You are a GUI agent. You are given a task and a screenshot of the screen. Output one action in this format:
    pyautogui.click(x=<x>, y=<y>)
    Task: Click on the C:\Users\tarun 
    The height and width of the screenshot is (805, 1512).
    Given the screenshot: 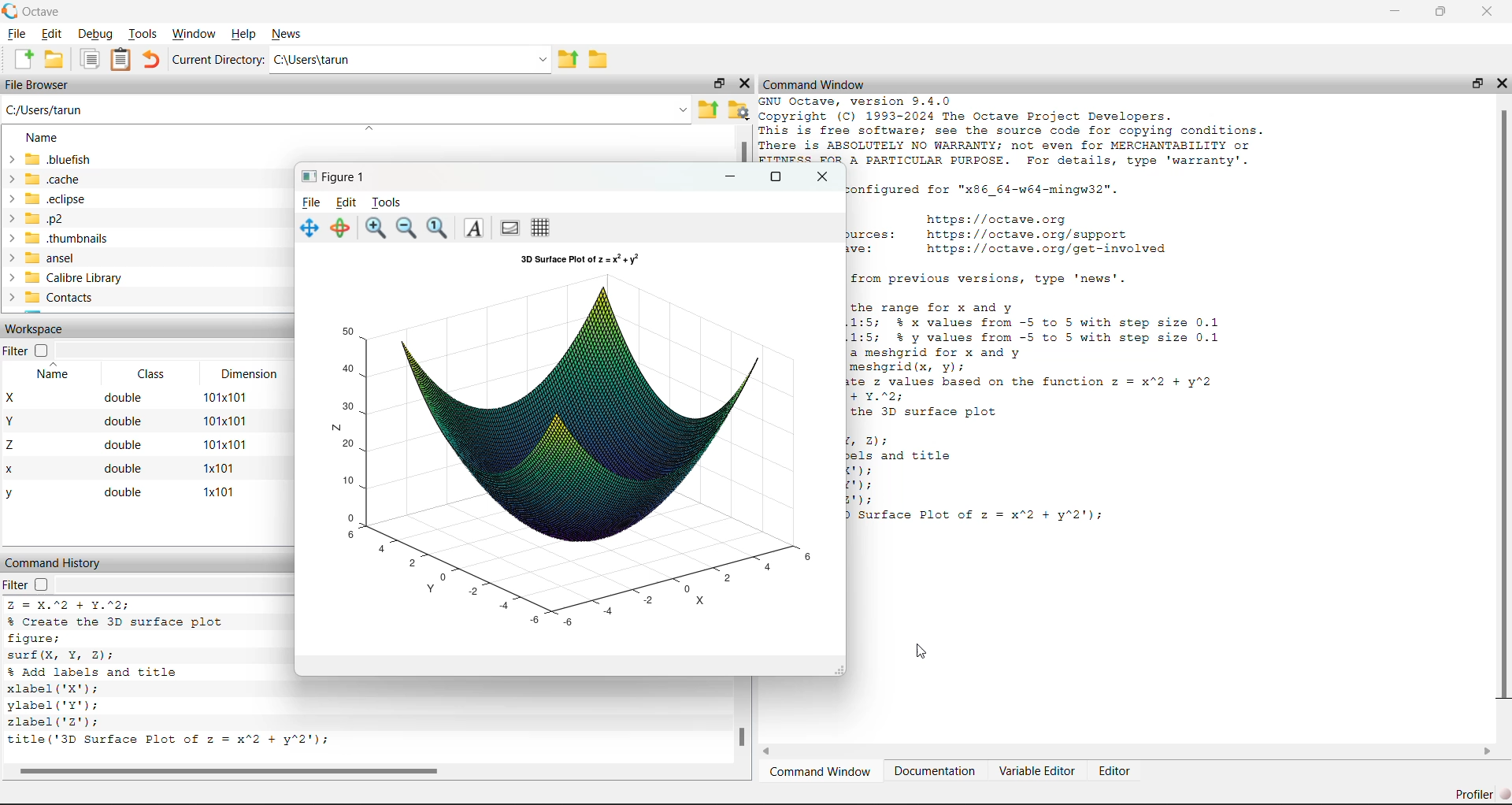 What is the action you would take?
    pyautogui.click(x=412, y=58)
    